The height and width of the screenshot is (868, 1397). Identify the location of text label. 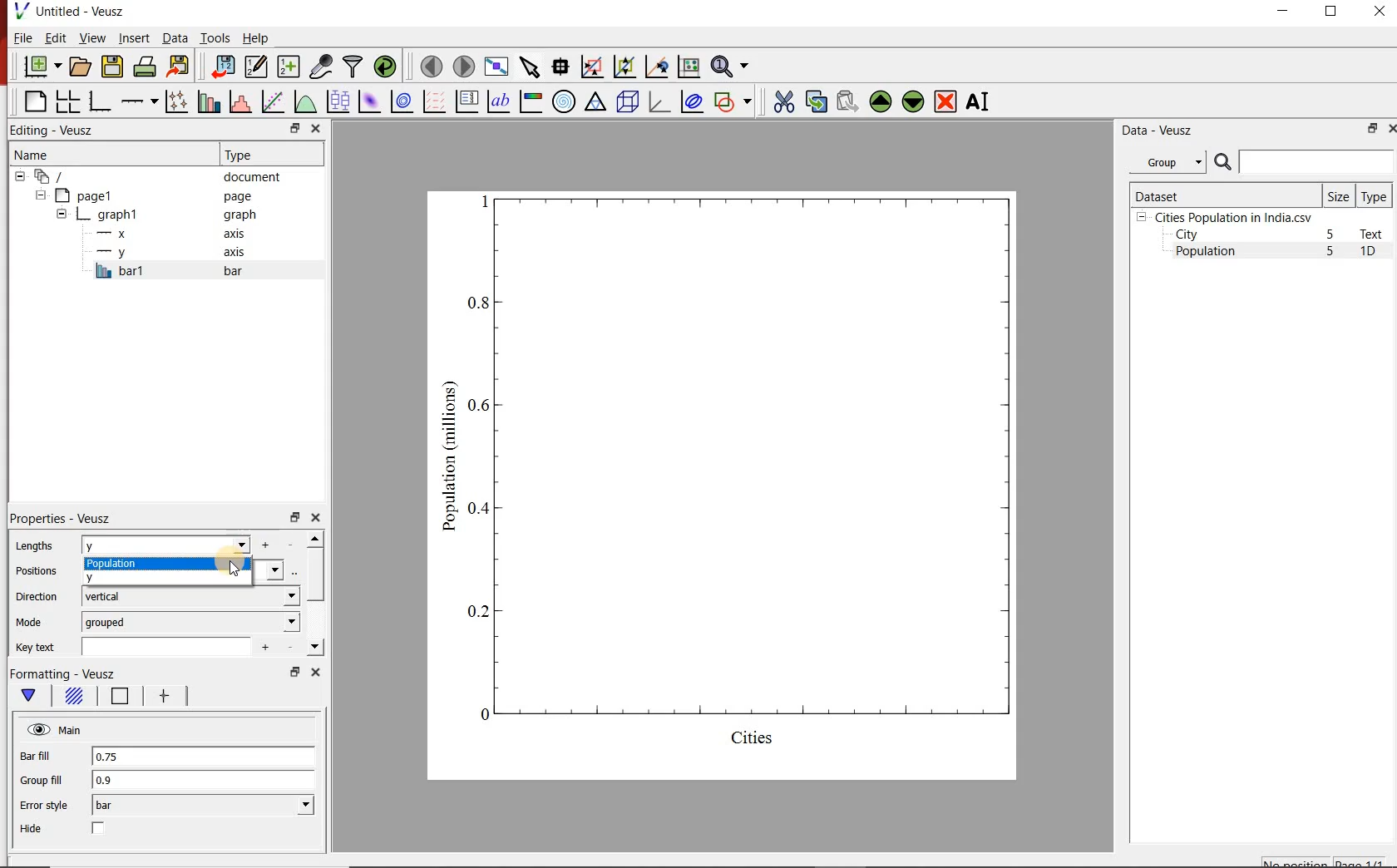
(498, 101).